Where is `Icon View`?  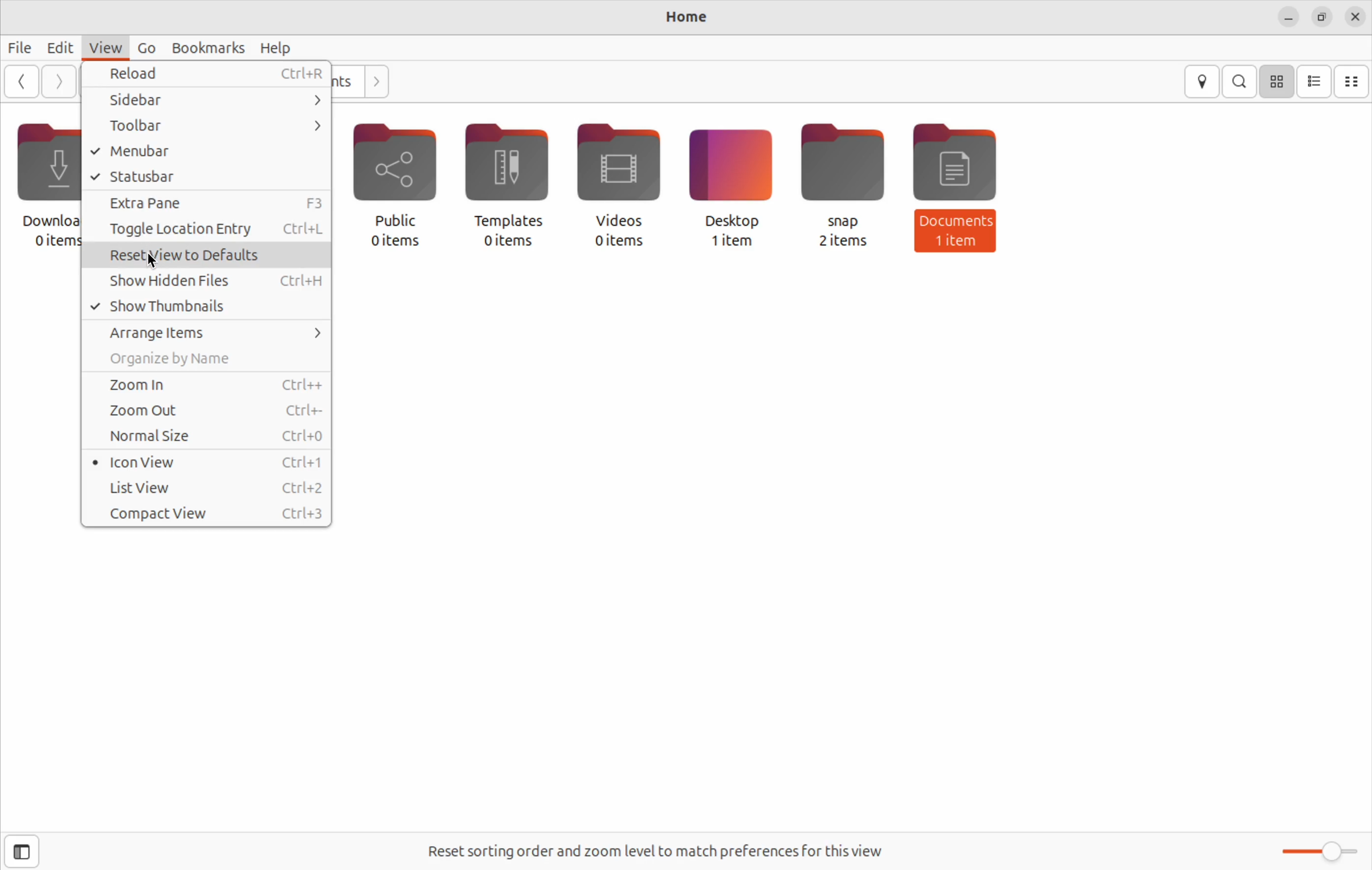
Icon View is located at coordinates (207, 464).